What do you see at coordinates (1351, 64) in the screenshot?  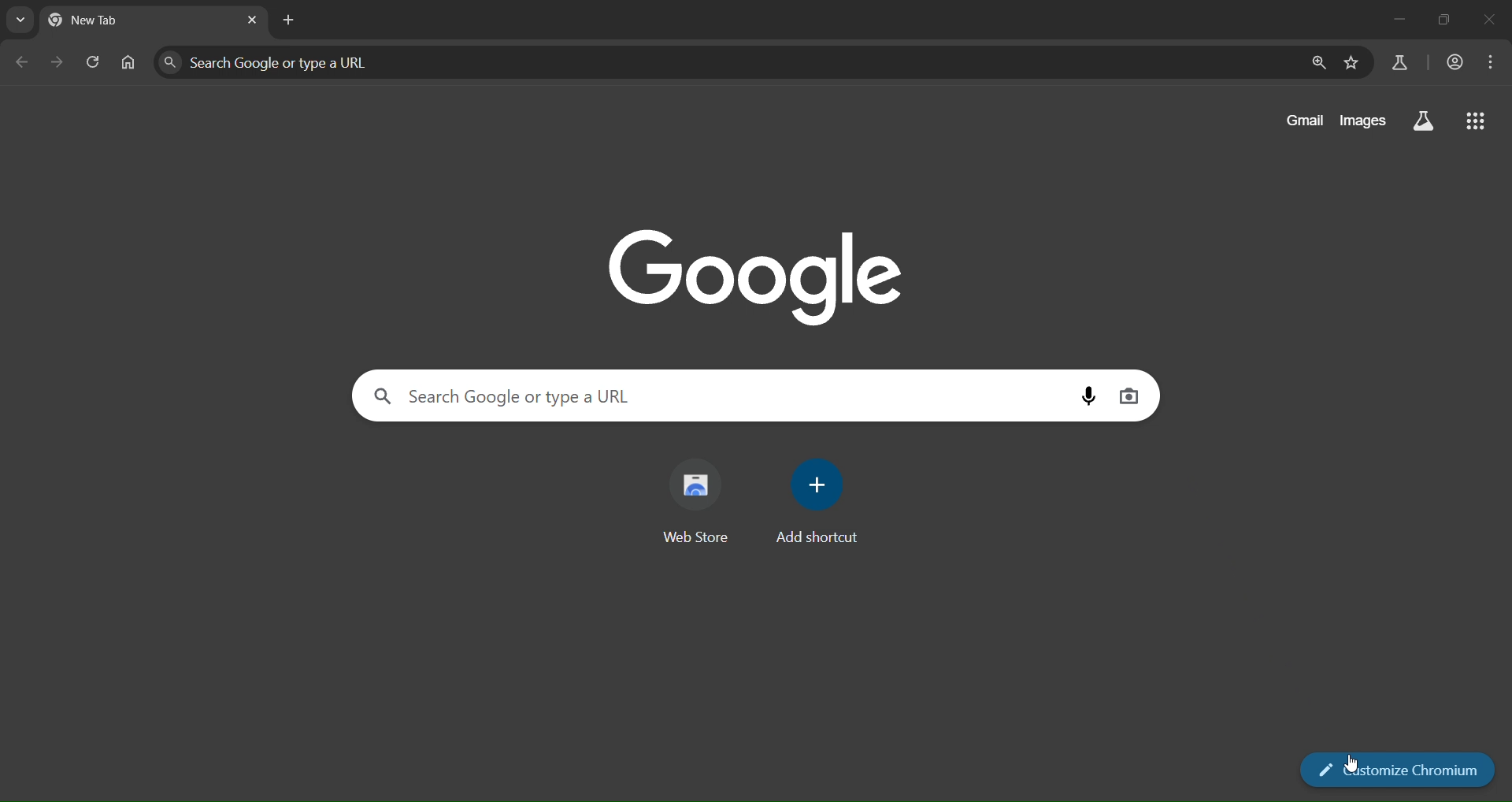 I see `bookmark ` at bounding box center [1351, 64].